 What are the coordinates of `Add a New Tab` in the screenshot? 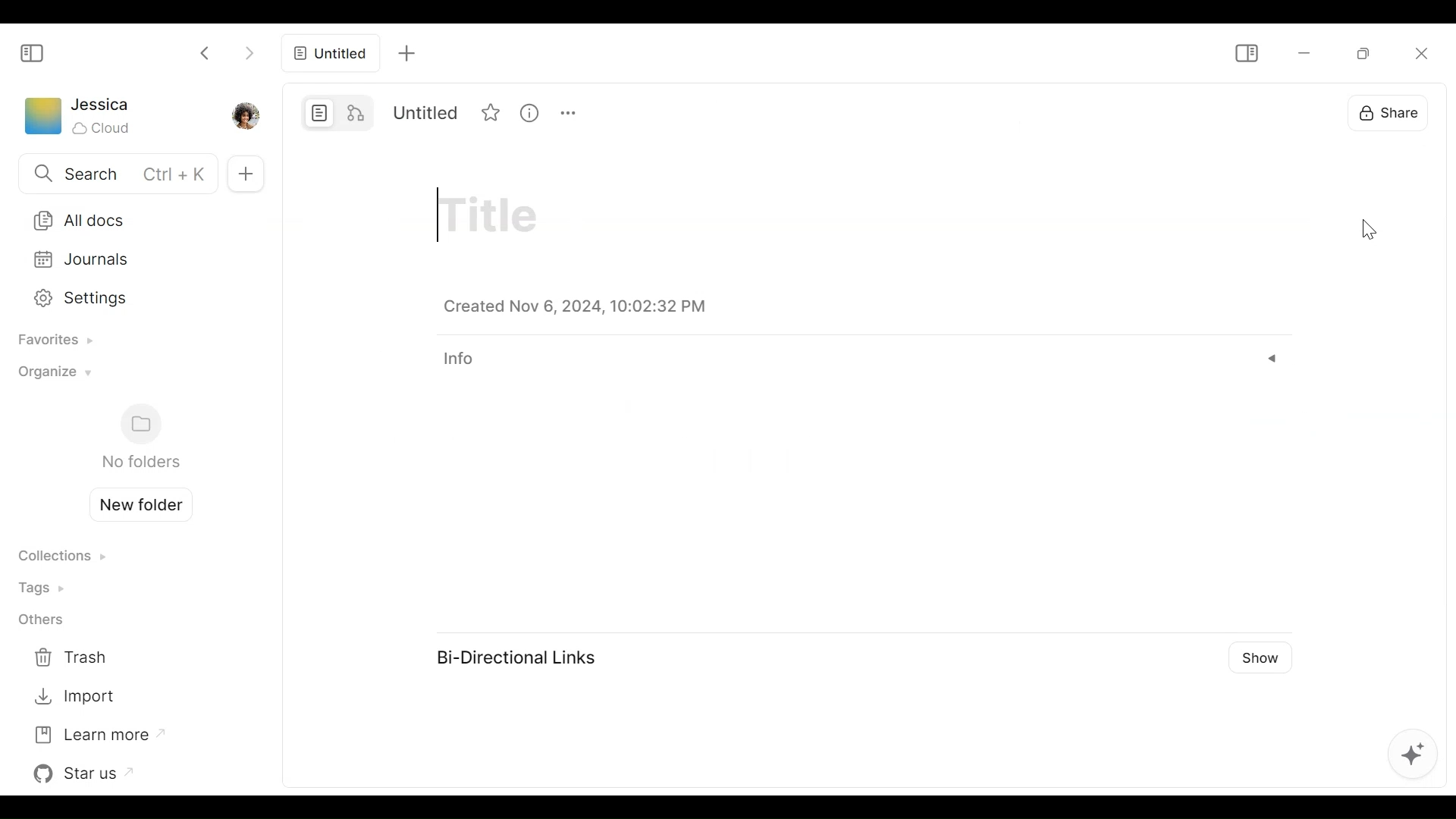 It's located at (406, 52).